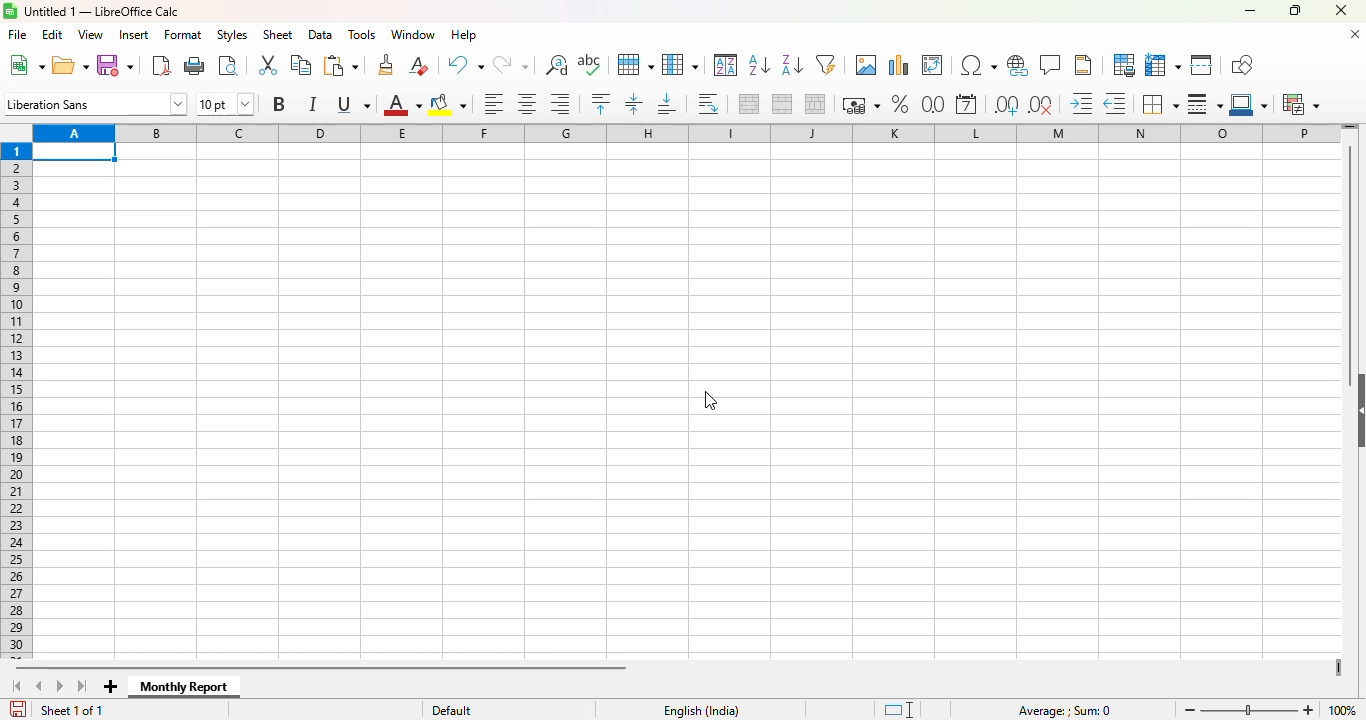  Describe the element at coordinates (1240, 64) in the screenshot. I see `show draw functions` at that location.